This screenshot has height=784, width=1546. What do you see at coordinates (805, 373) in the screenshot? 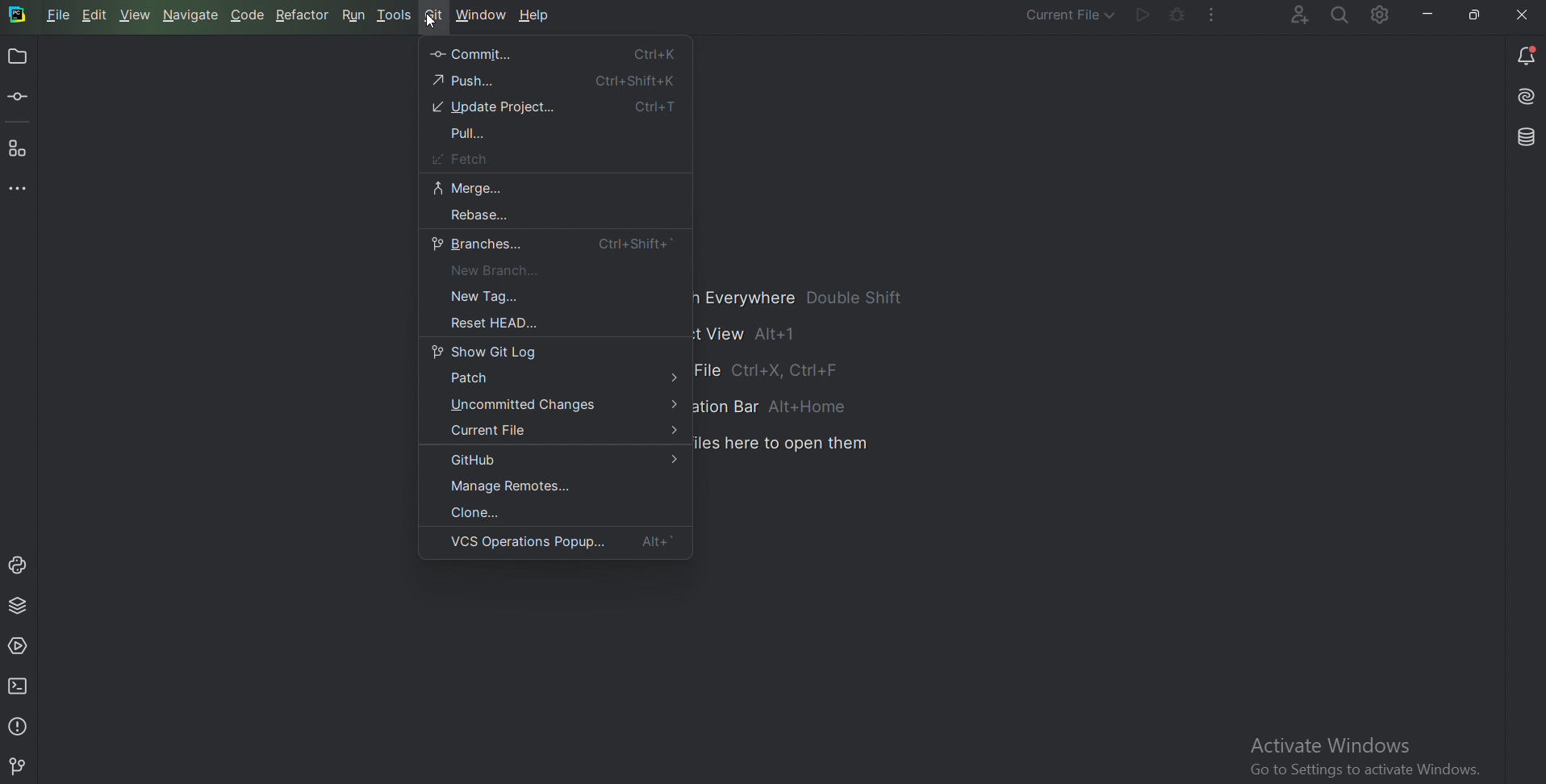
I see `Go to file` at bounding box center [805, 373].